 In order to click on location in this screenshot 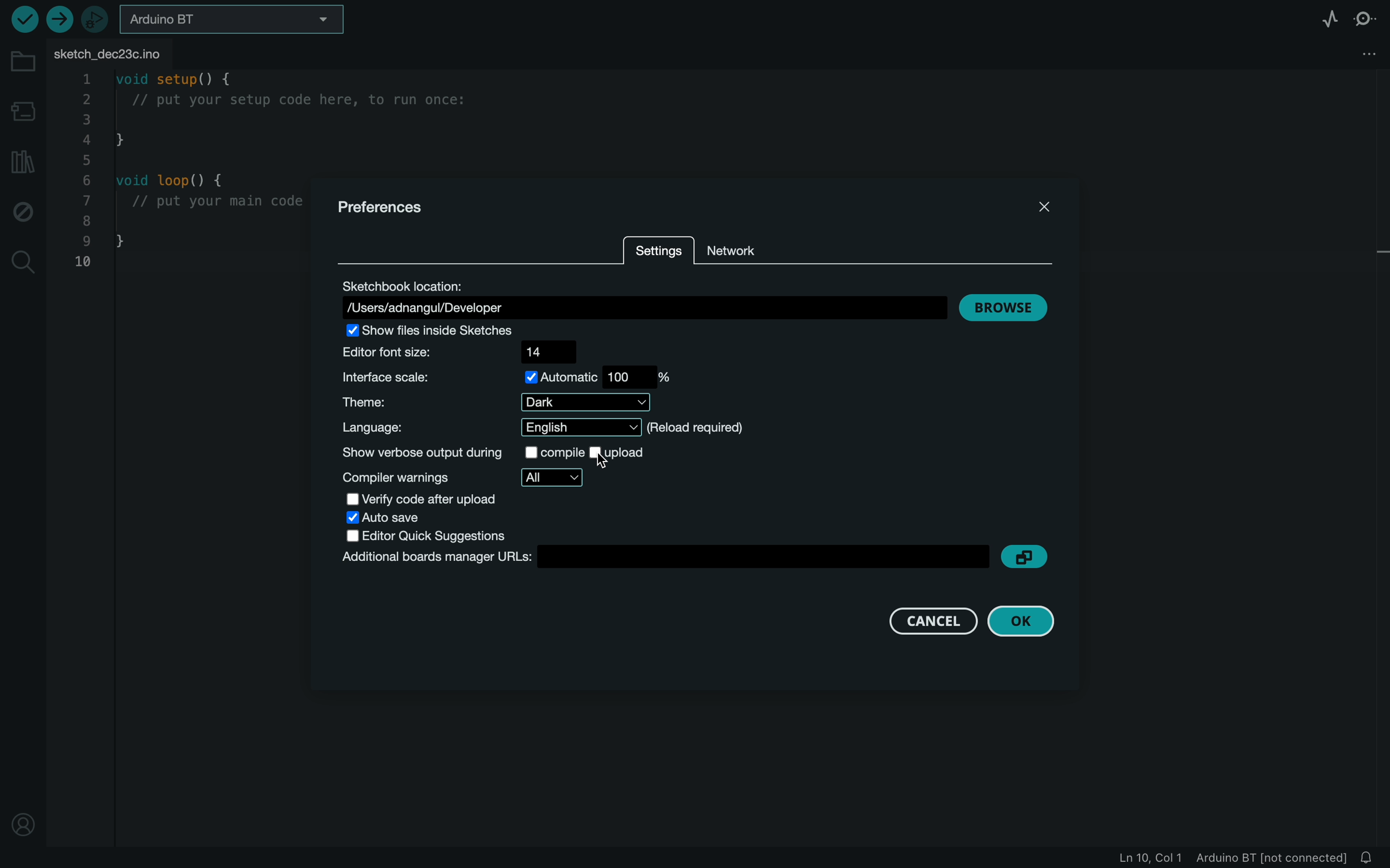, I will do `click(643, 294)`.